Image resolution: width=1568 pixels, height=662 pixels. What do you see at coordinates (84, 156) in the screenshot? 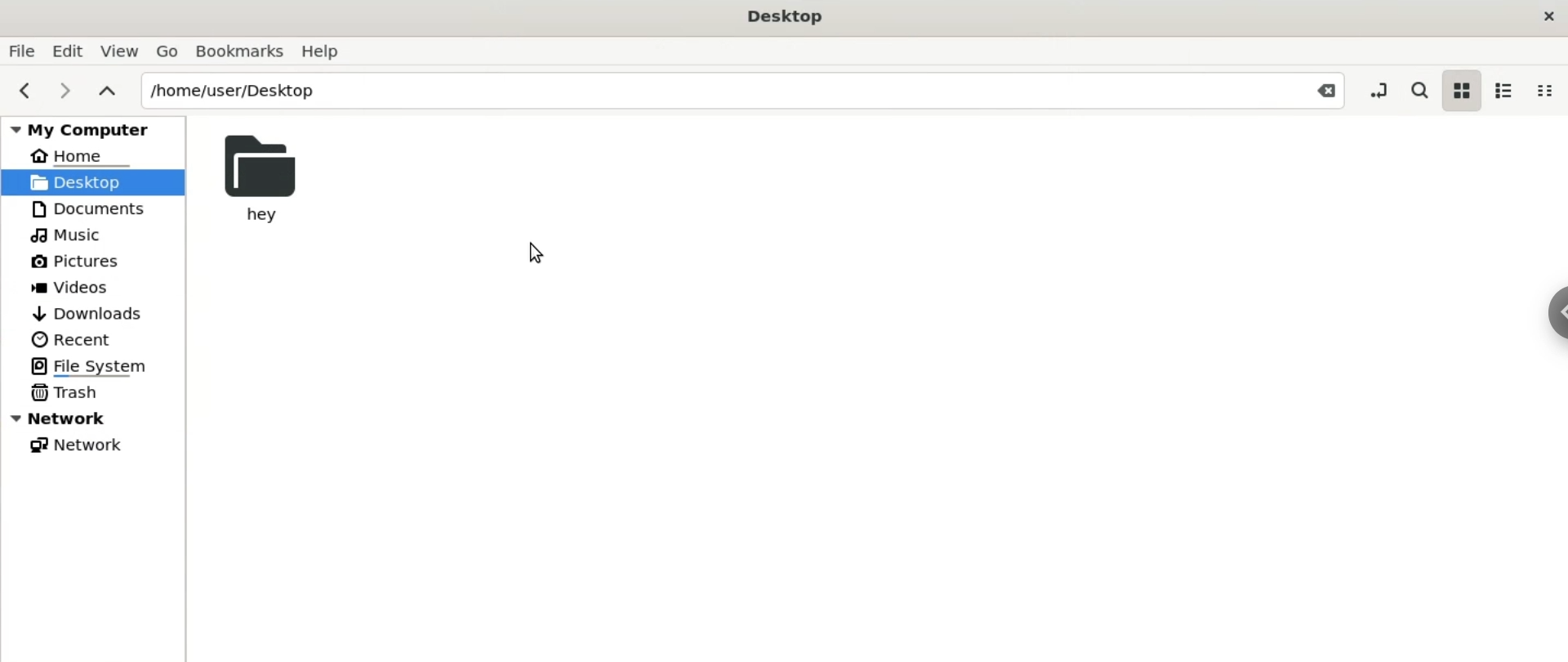
I see `home` at bounding box center [84, 156].